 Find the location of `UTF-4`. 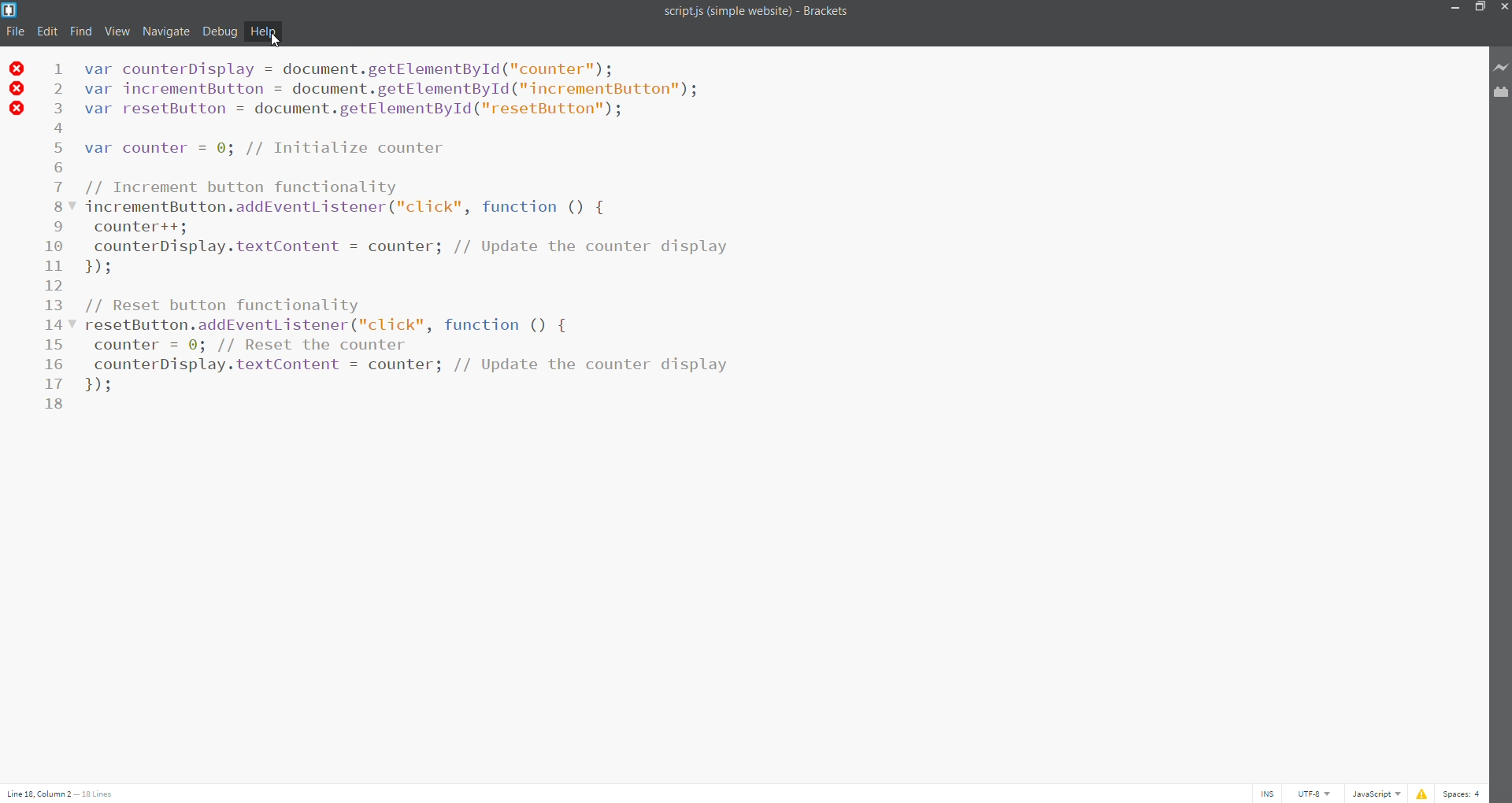

UTF-4 is located at coordinates (1319, 794).